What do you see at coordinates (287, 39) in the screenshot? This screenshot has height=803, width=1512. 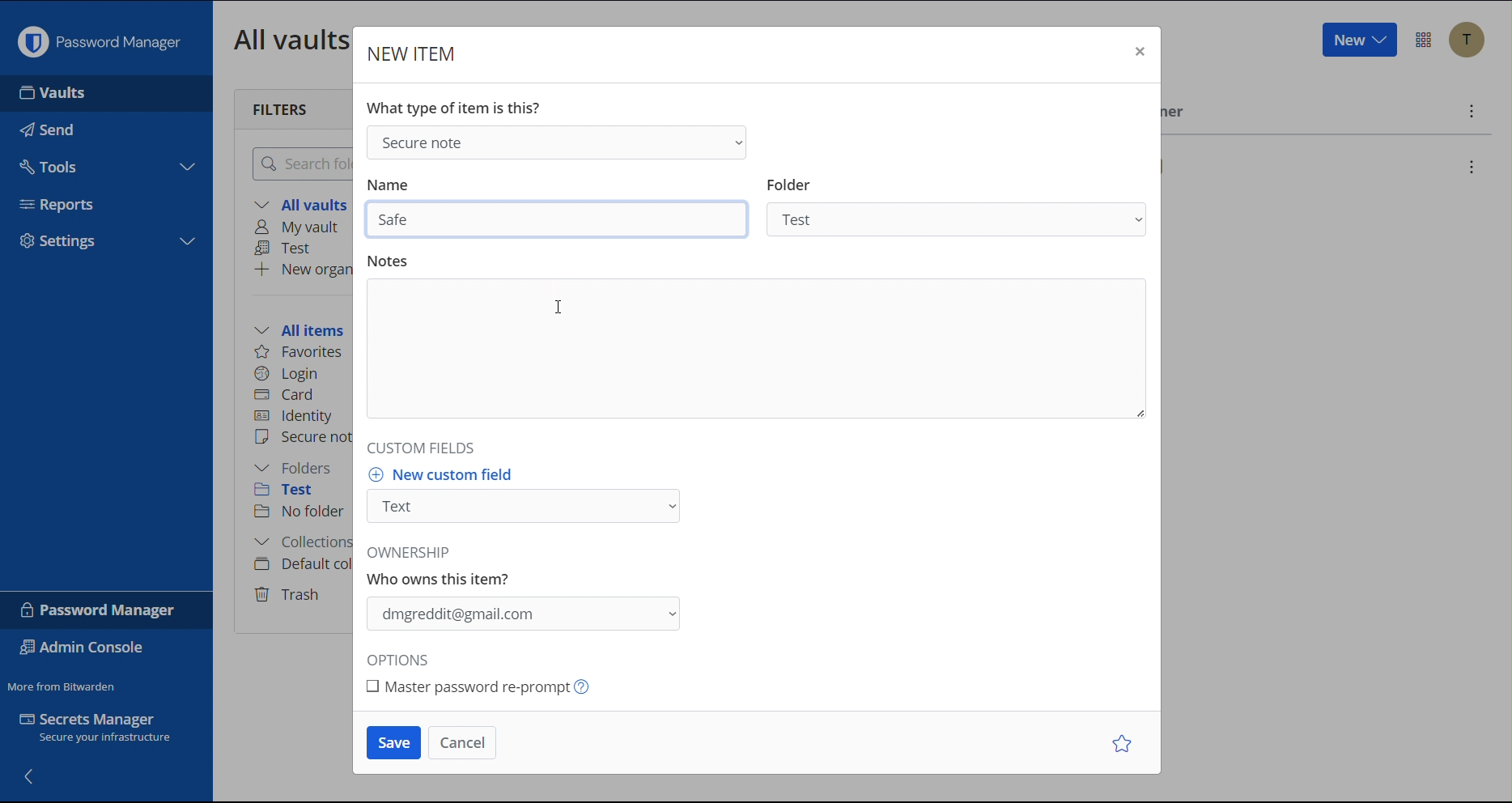 I see `All Vaults` at bounding box center [287, 39].